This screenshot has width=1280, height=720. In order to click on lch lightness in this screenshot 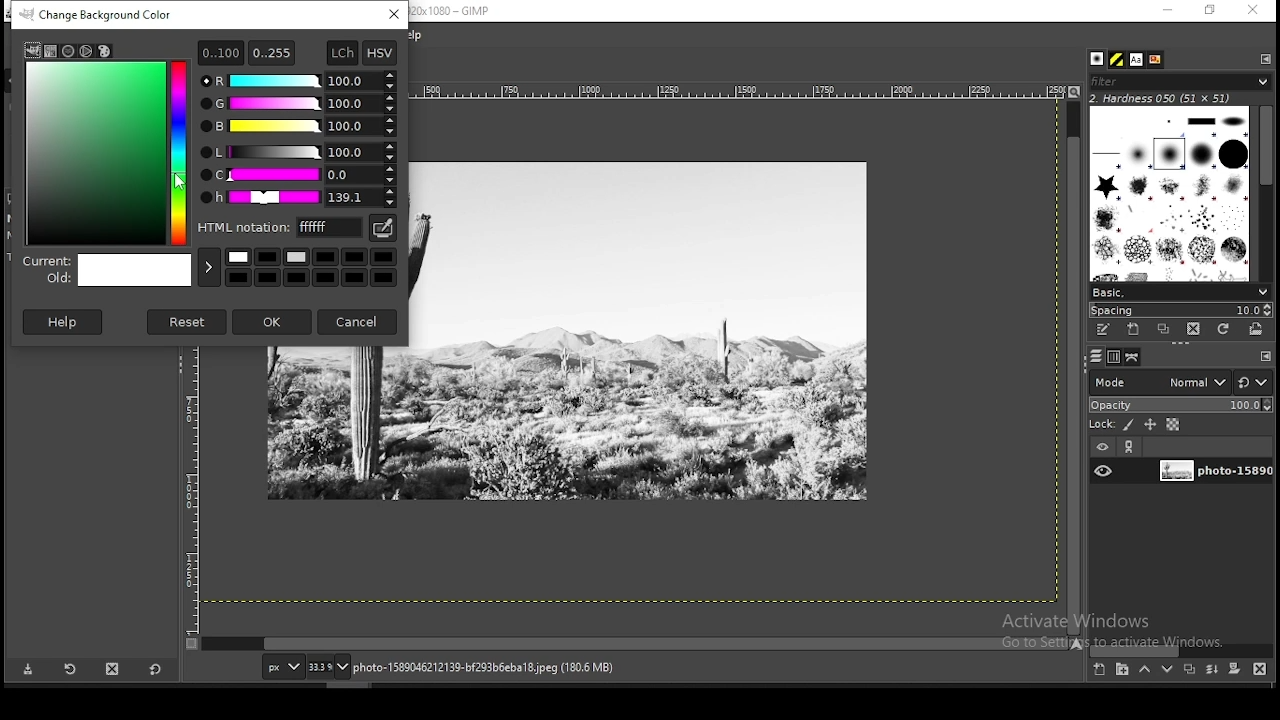, I will do `click(296, 151)`.